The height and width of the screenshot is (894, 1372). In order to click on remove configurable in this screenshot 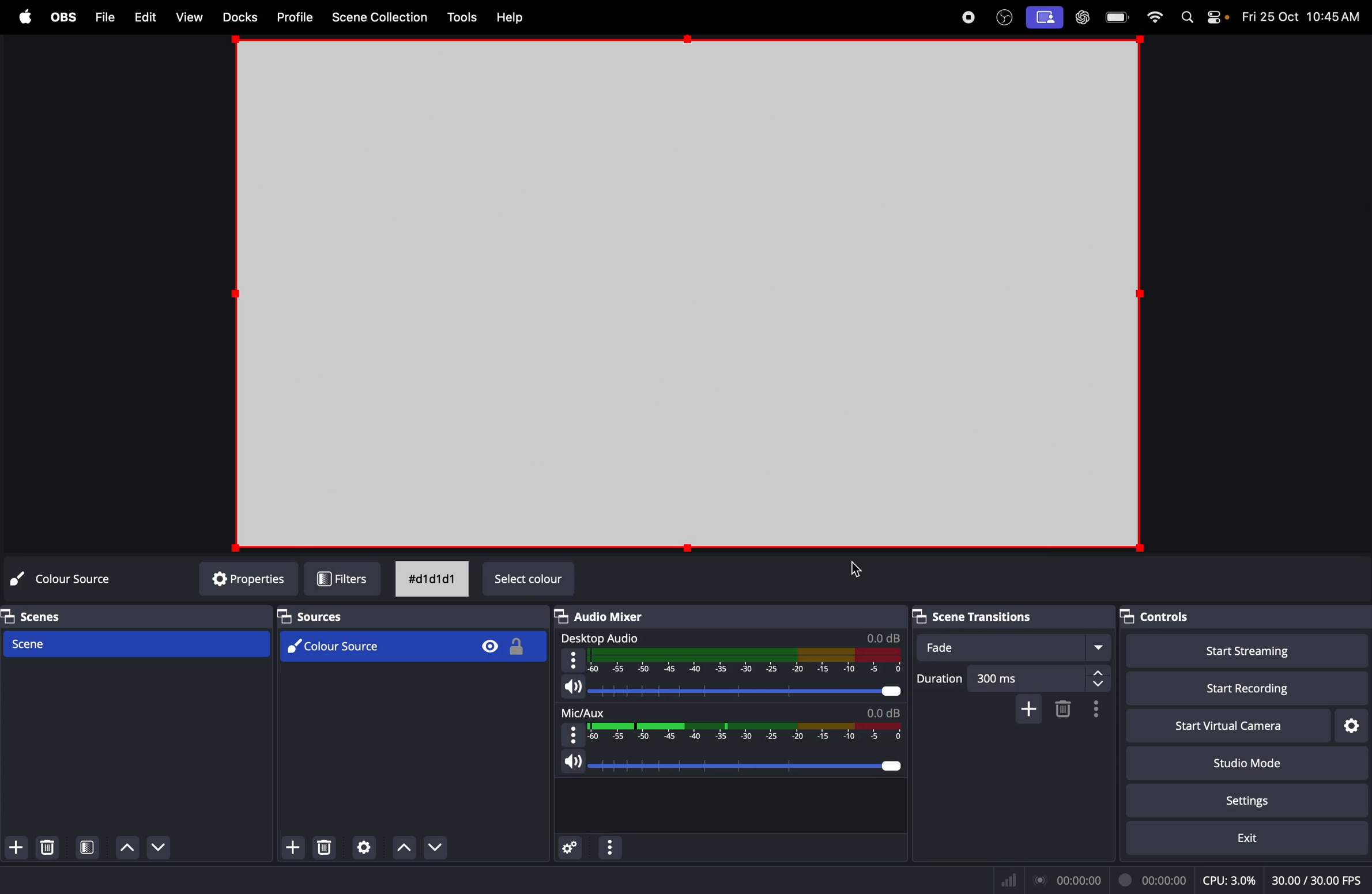, I will do `click(1065, 709)`.